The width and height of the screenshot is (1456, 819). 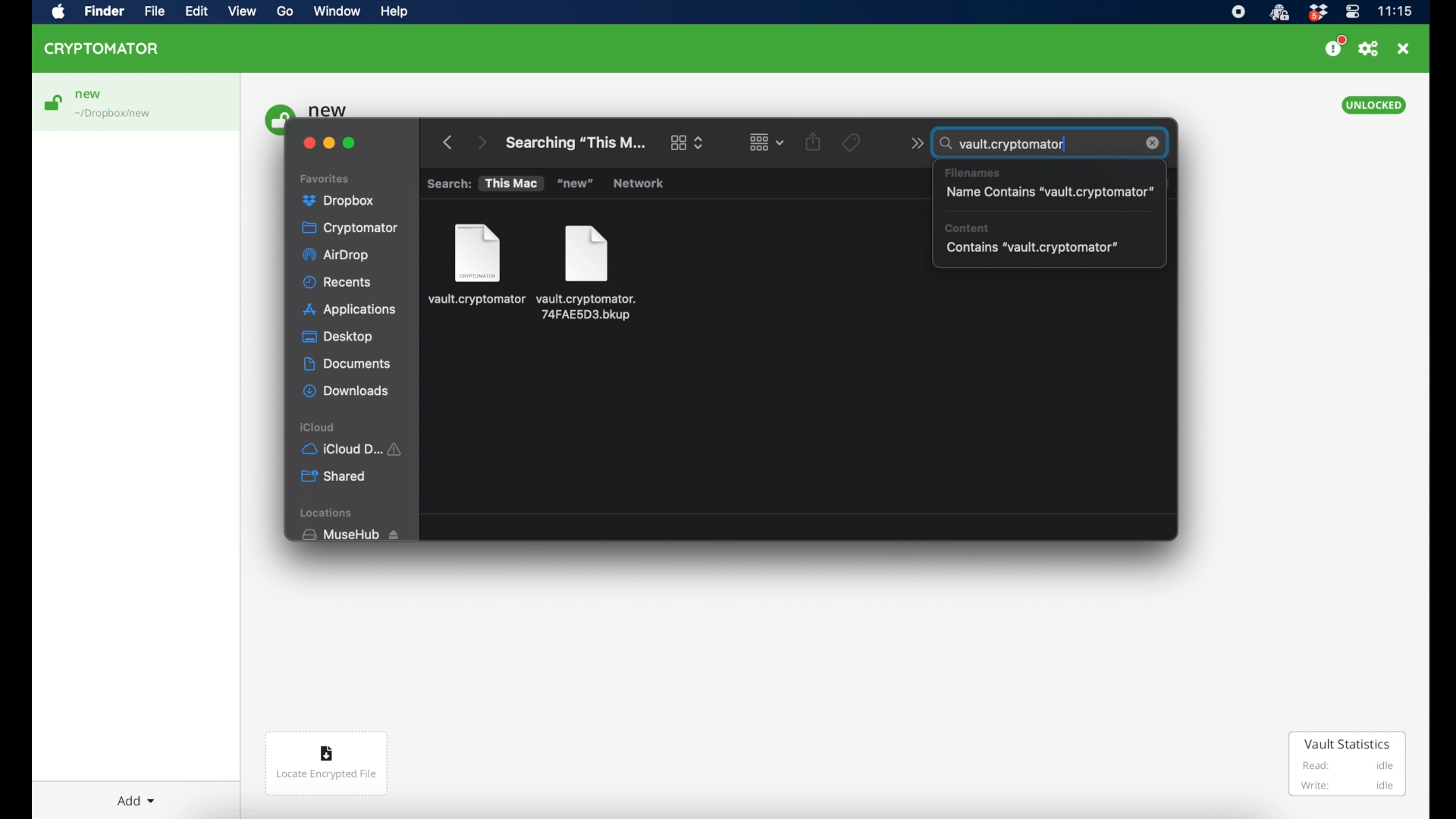 I want to click on maximize, so click(x=350, y=143).